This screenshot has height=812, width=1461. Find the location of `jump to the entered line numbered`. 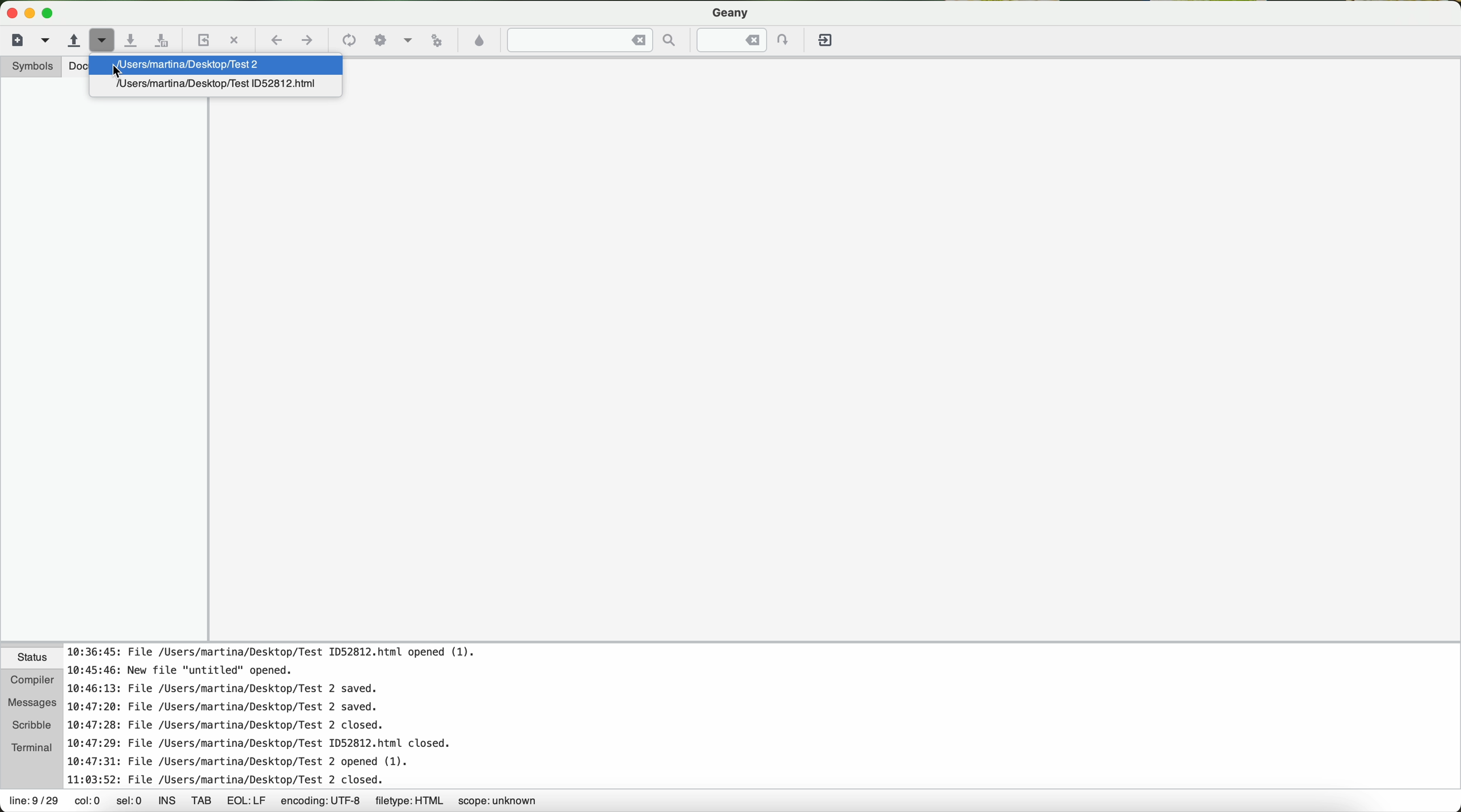

jump to the entered line numbered is located at coordinates (746, 40).